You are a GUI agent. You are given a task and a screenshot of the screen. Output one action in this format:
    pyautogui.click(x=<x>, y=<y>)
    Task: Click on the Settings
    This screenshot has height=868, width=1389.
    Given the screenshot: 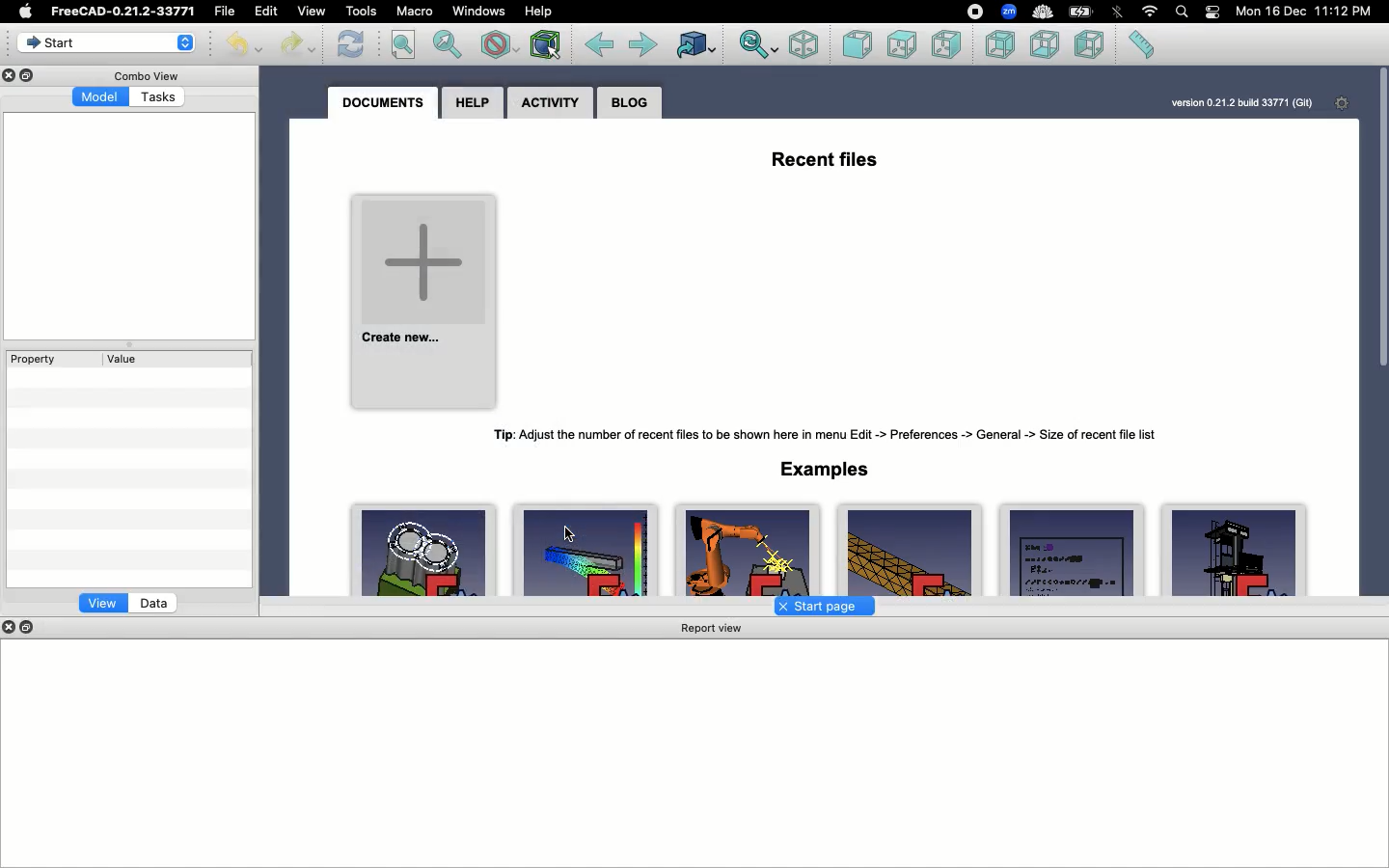 What is the action you would take?
    pyautogui.click(x=1346, y=105)
    